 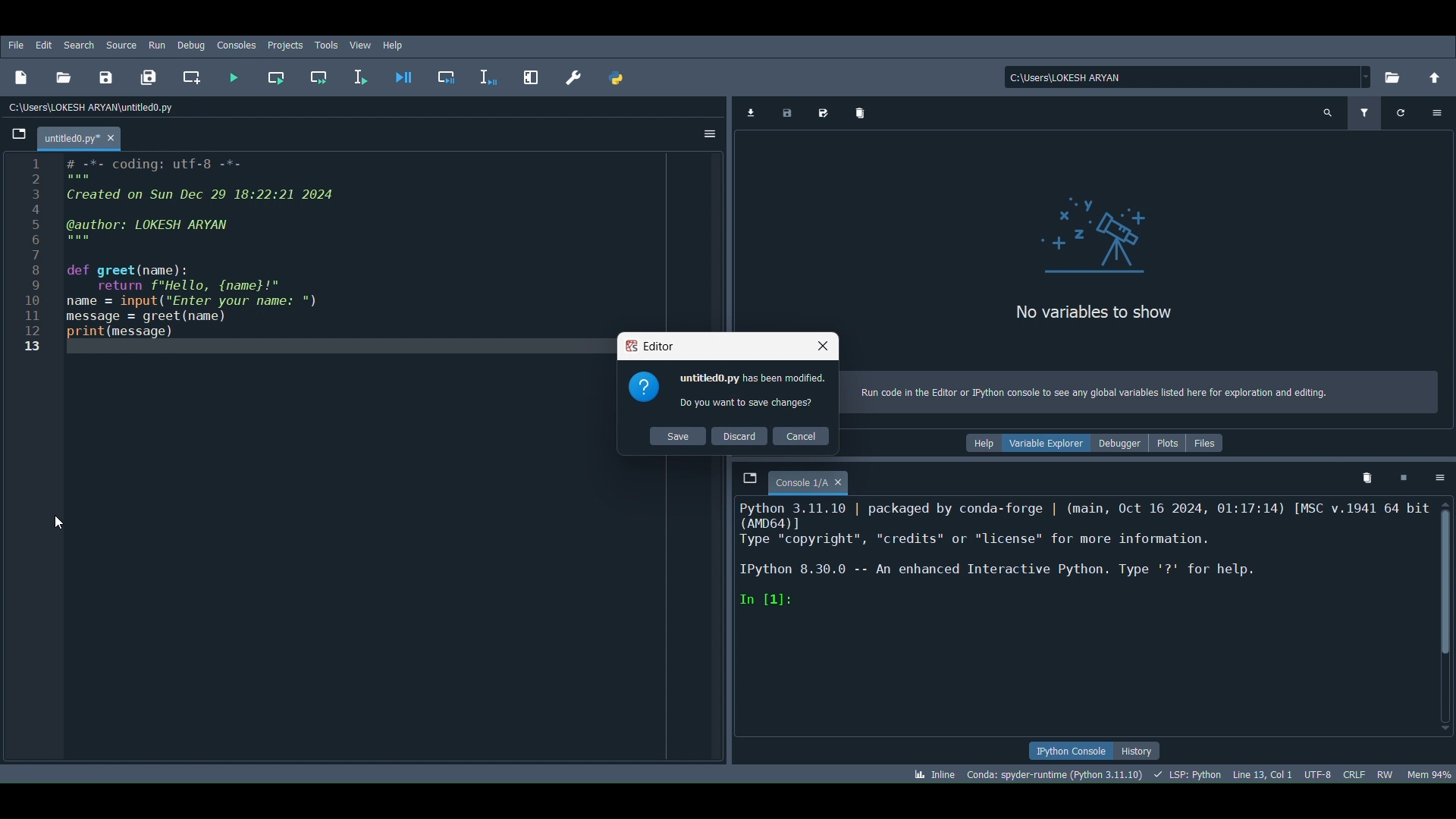 What do you see at coordinates (275, 79) in the screenshot?
I see `Run current cell (Ctrl + Return)` at bounding box center [275, 79].